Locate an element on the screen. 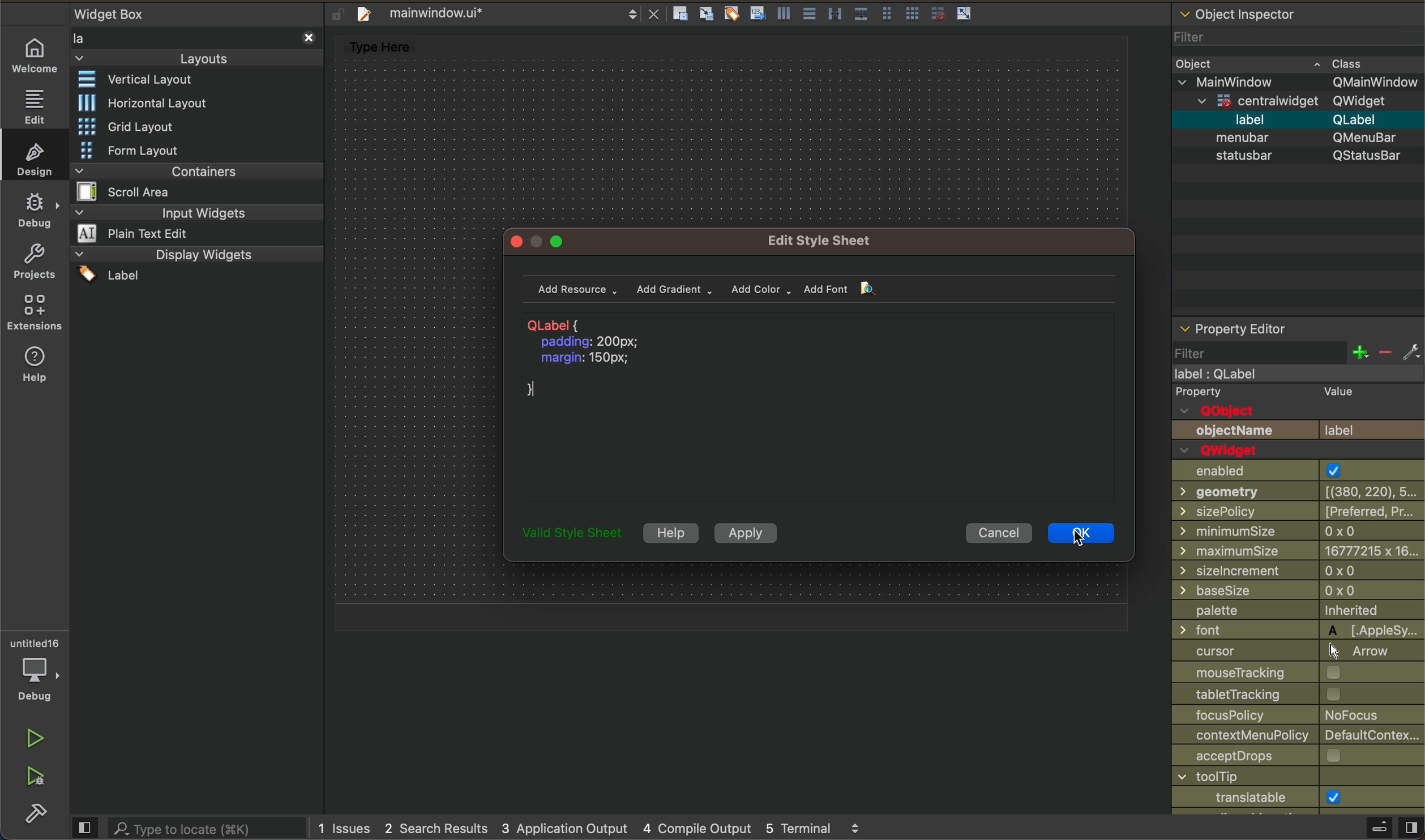  status bar is located at coordinates (1301, 161).